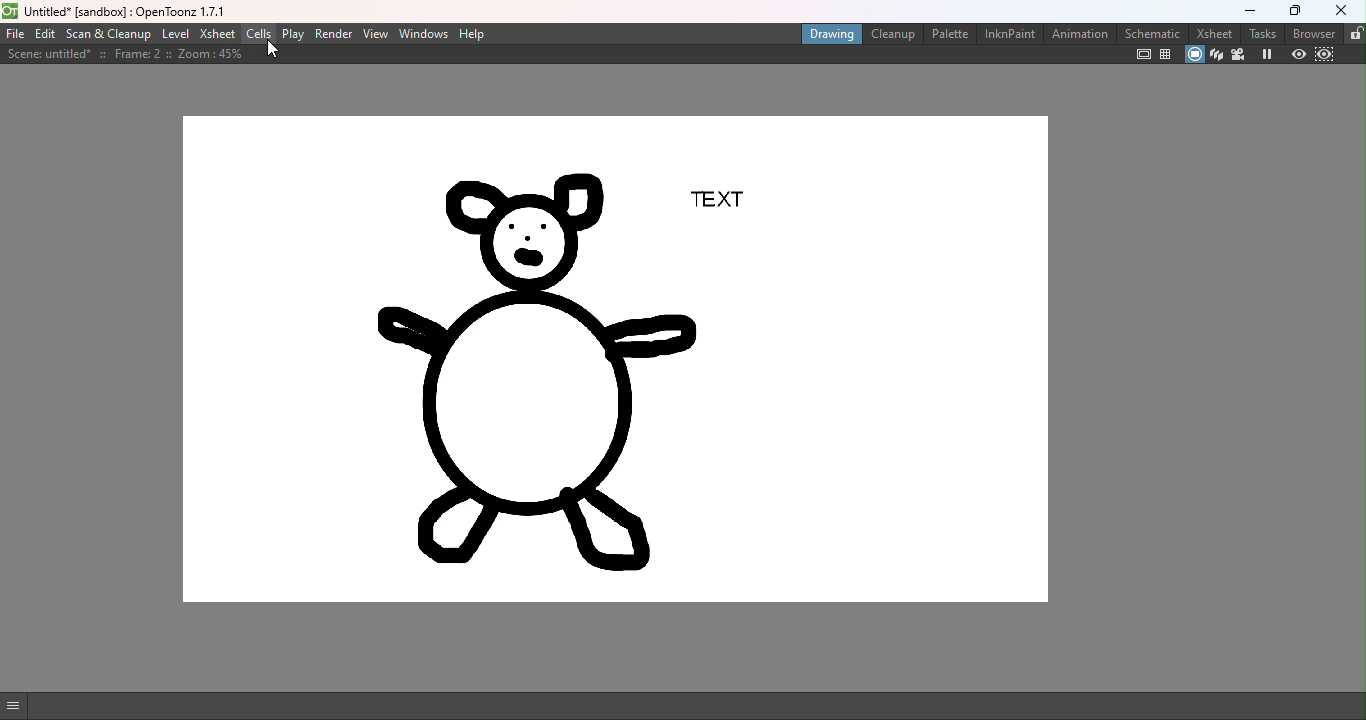  Describe the element at coordinates (378, 36) in the screenshot. I see `View` at that location.